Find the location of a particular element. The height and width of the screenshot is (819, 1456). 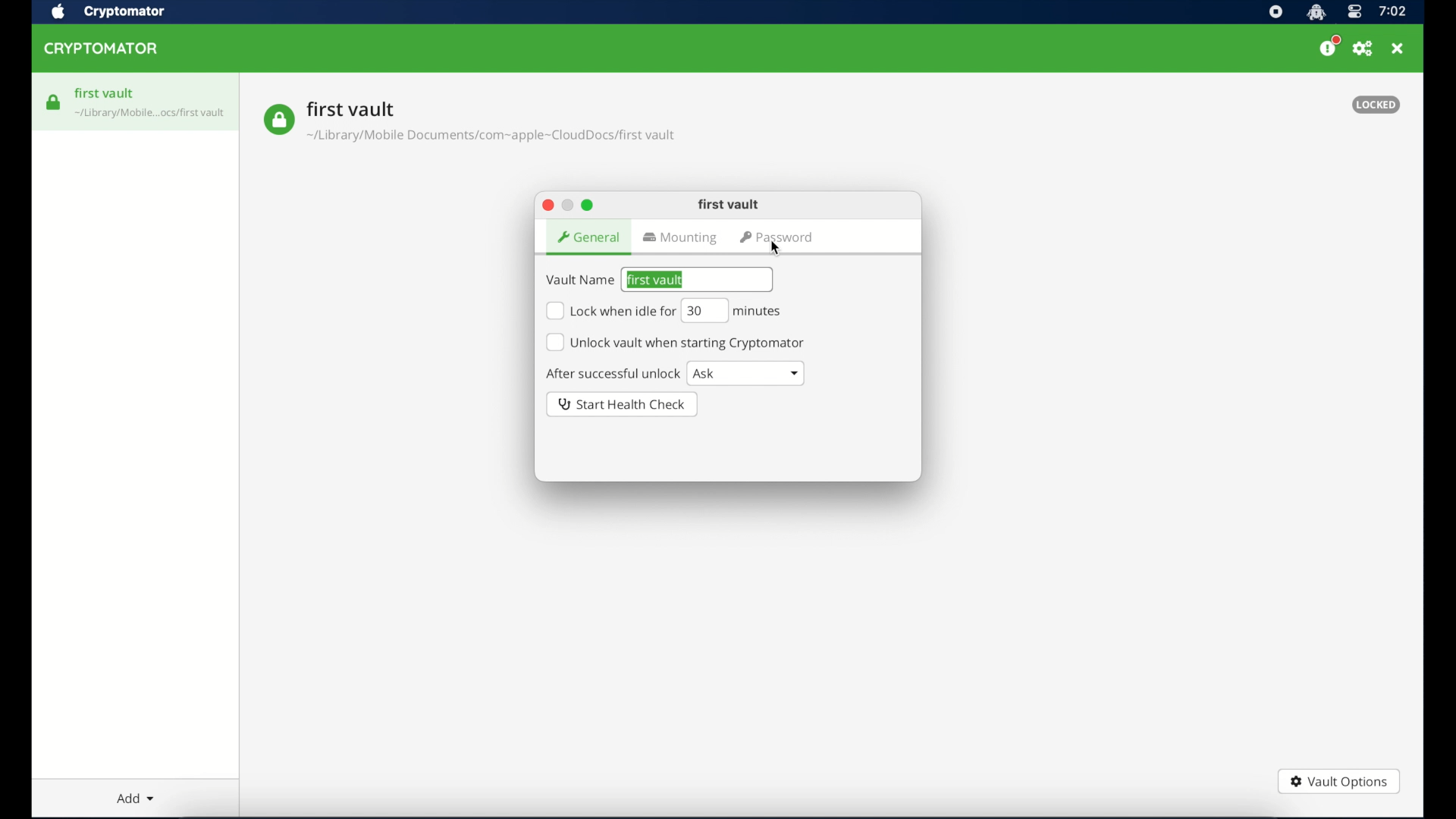

time is located at coordinates (1392, 12).